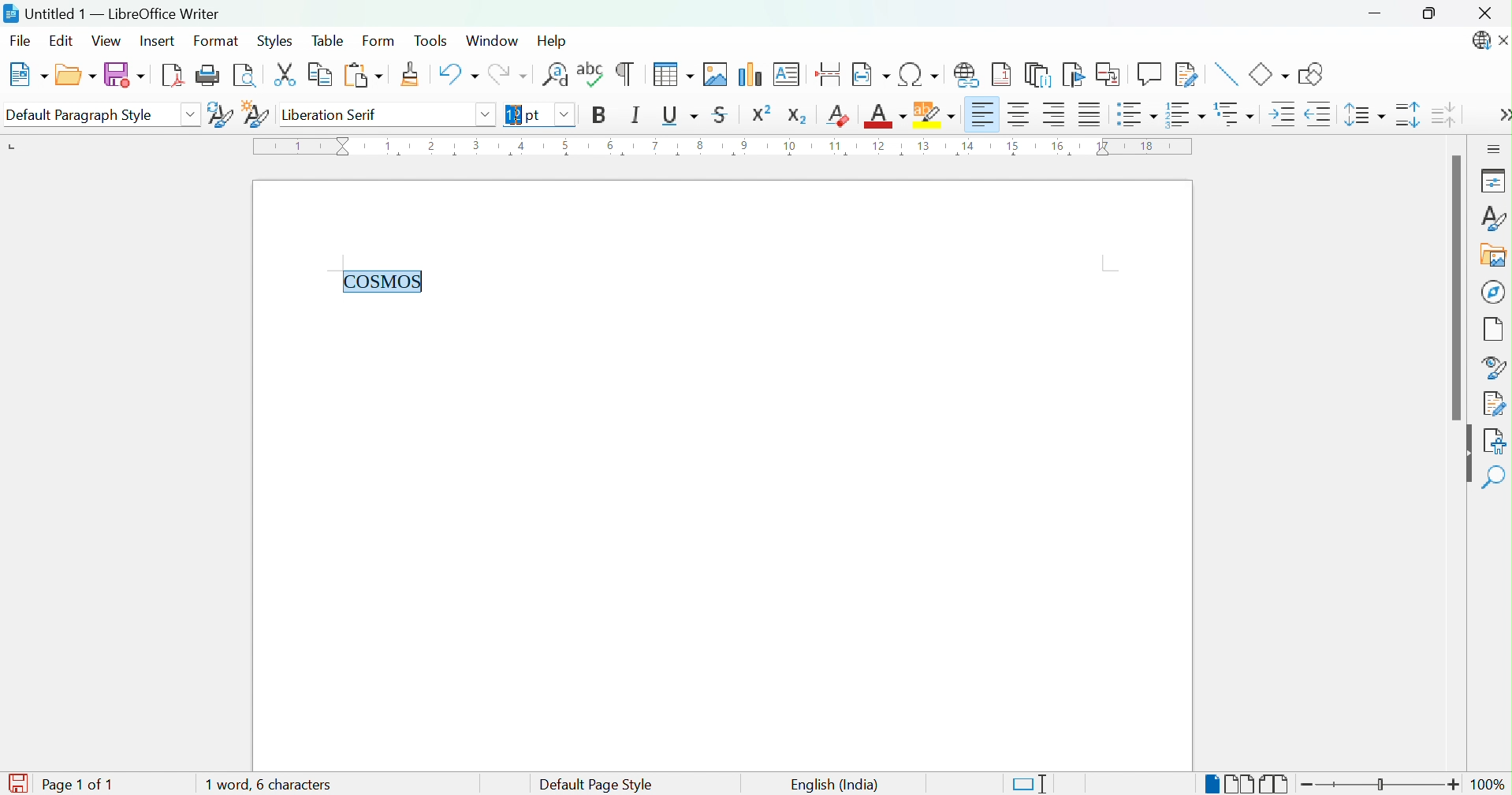  I want to click on Page, so click(1495, 328).